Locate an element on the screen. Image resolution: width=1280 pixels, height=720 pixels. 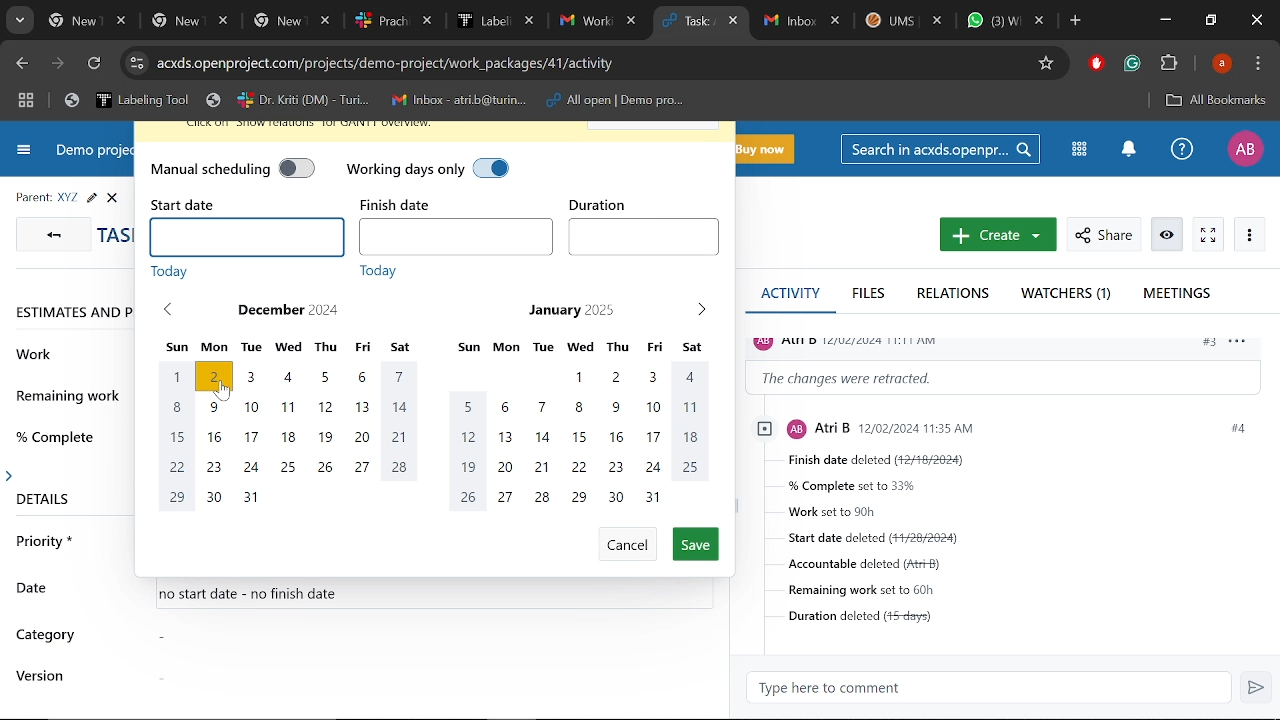
cursor is located at coordinates (230, 390).